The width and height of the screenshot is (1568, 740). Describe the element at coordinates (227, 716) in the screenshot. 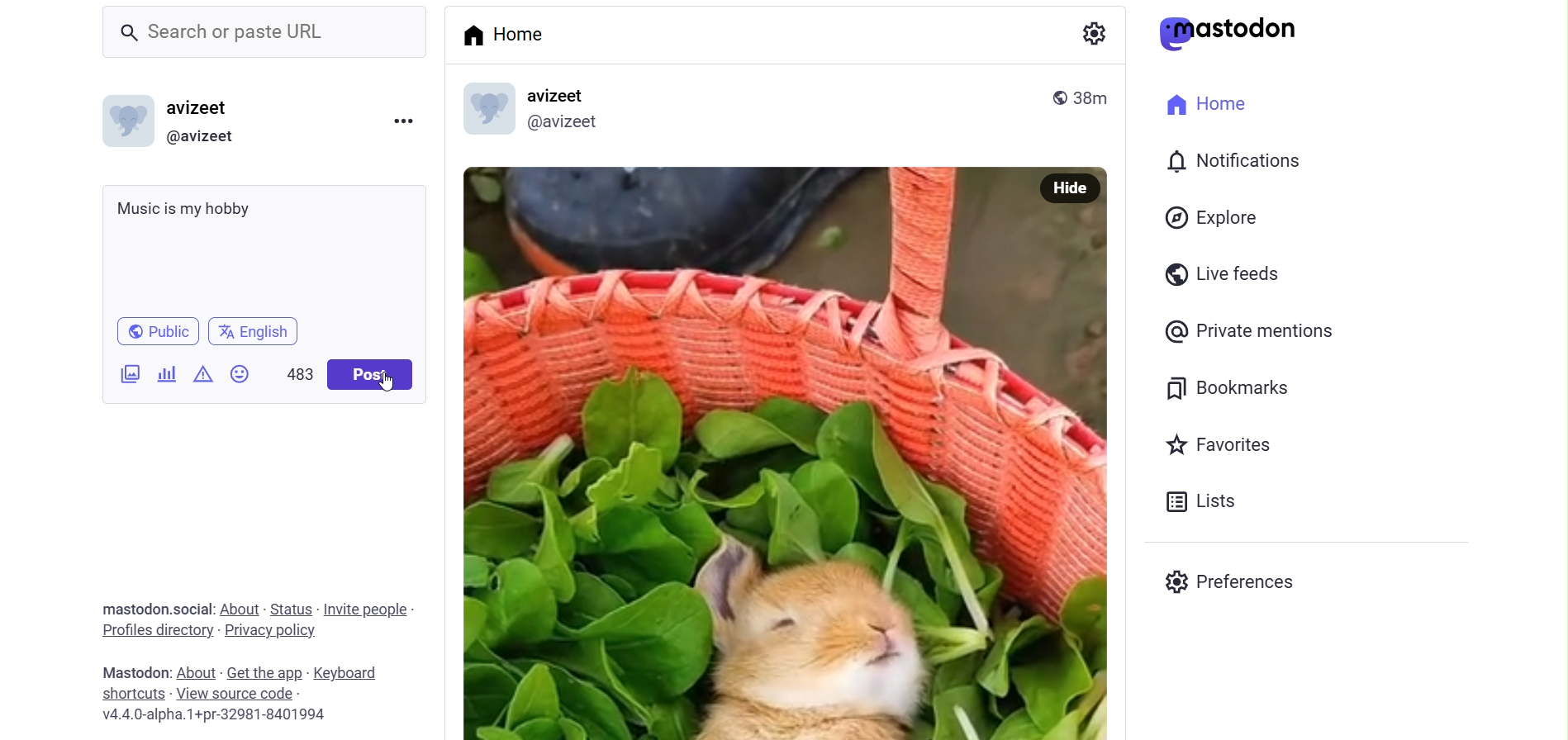

I see `Vv4.4.0-alpha.1+pr-32981-8401994` at that location.